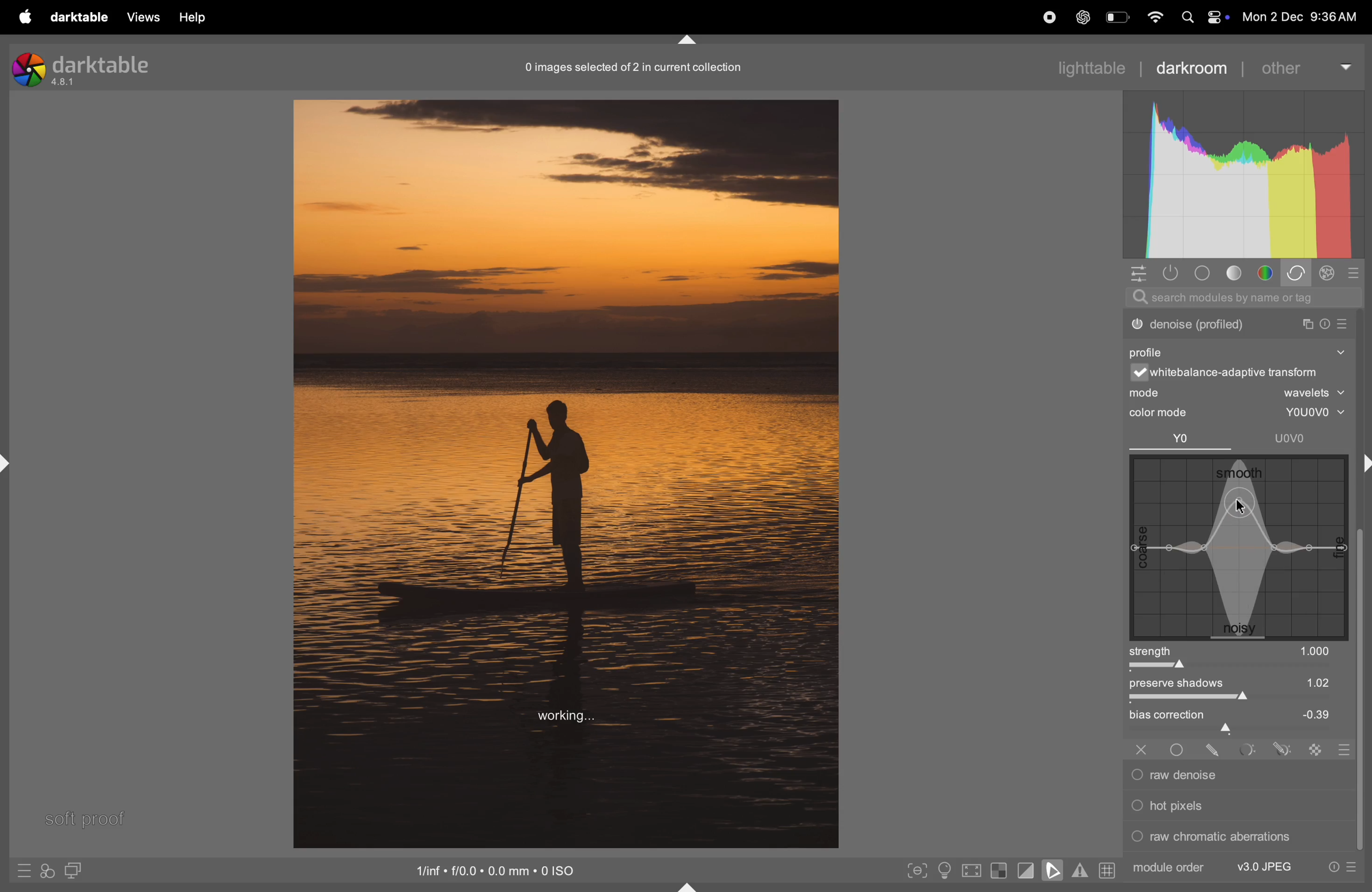  What do you see at coordinates (1053, 872) in the screenshot?
I see `toggle softproffing` at bounding box center [1053, 872].